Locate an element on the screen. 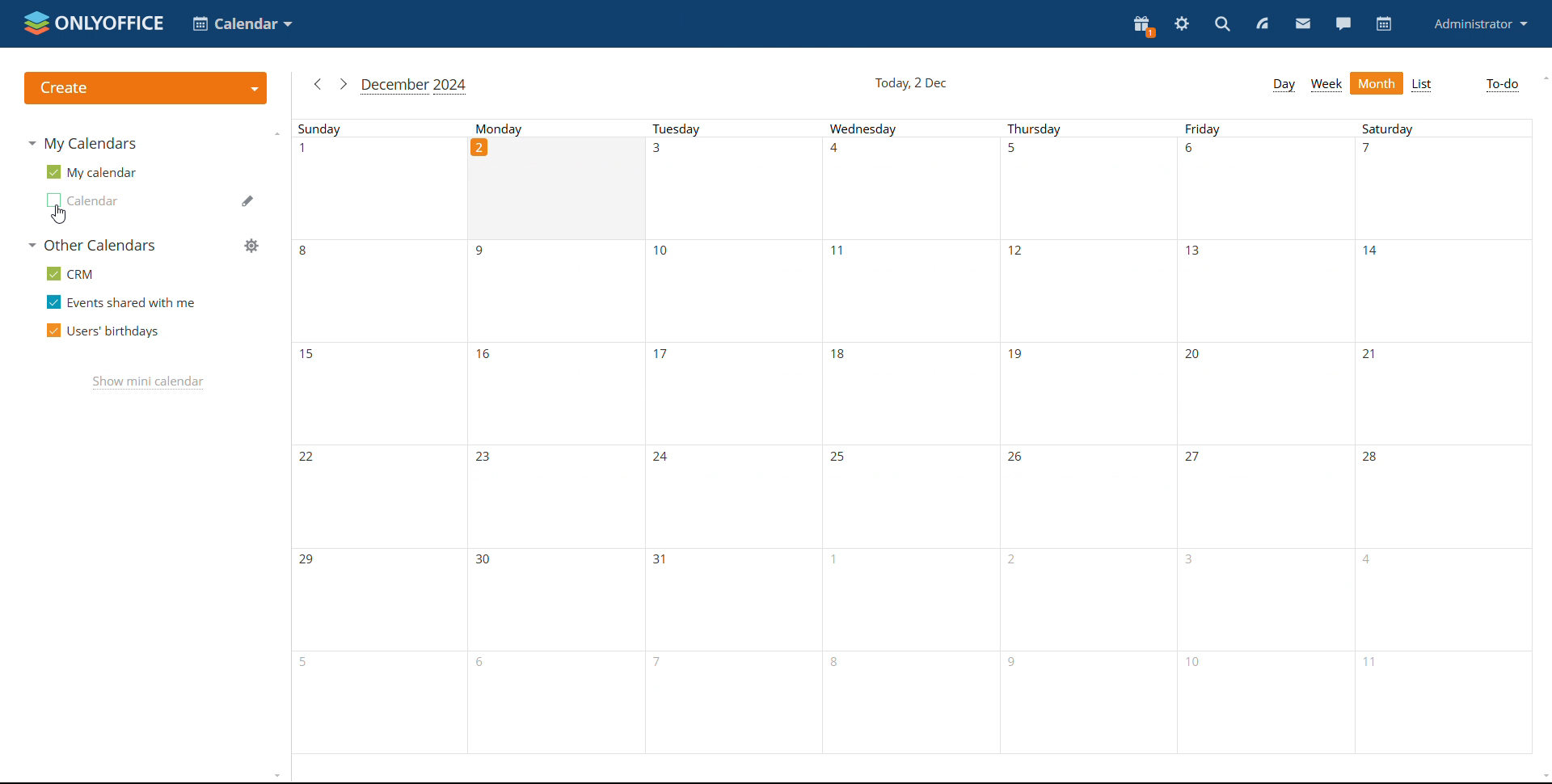 Image resolution: width=1552 pixels, height=784 pixels. 28 is located at coordinates (1444, 497).